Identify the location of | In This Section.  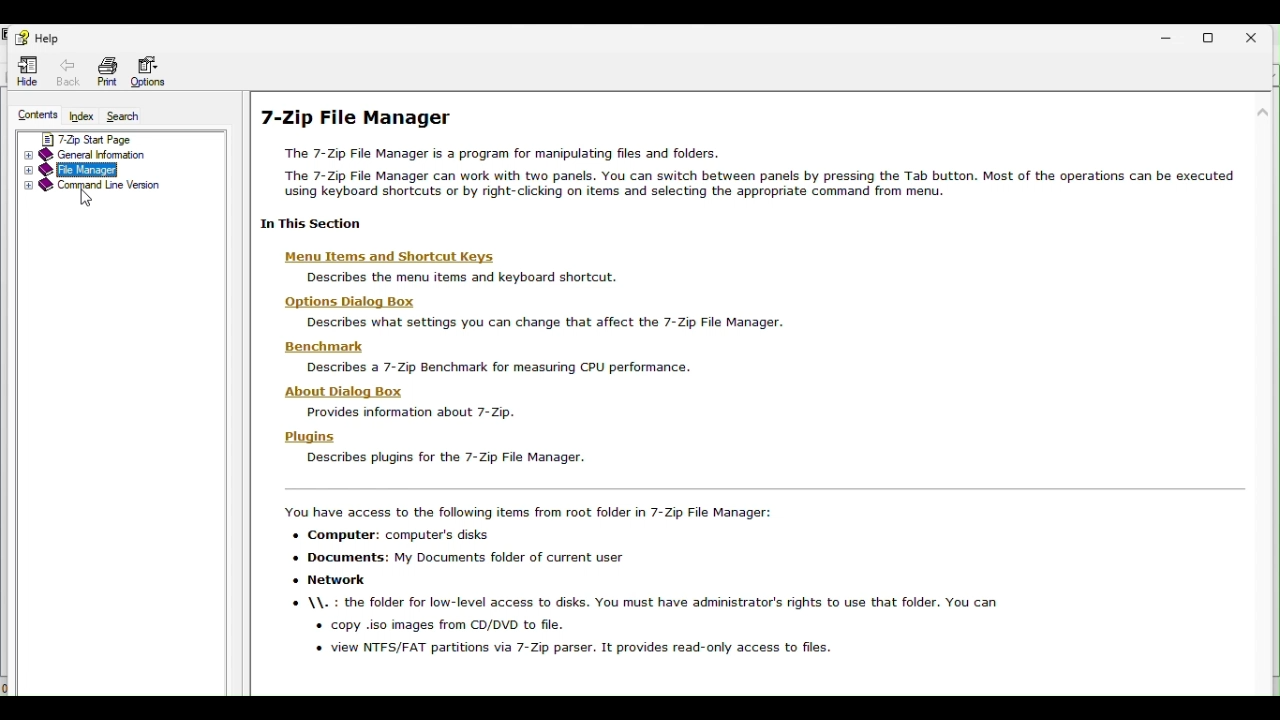
(307, 223).